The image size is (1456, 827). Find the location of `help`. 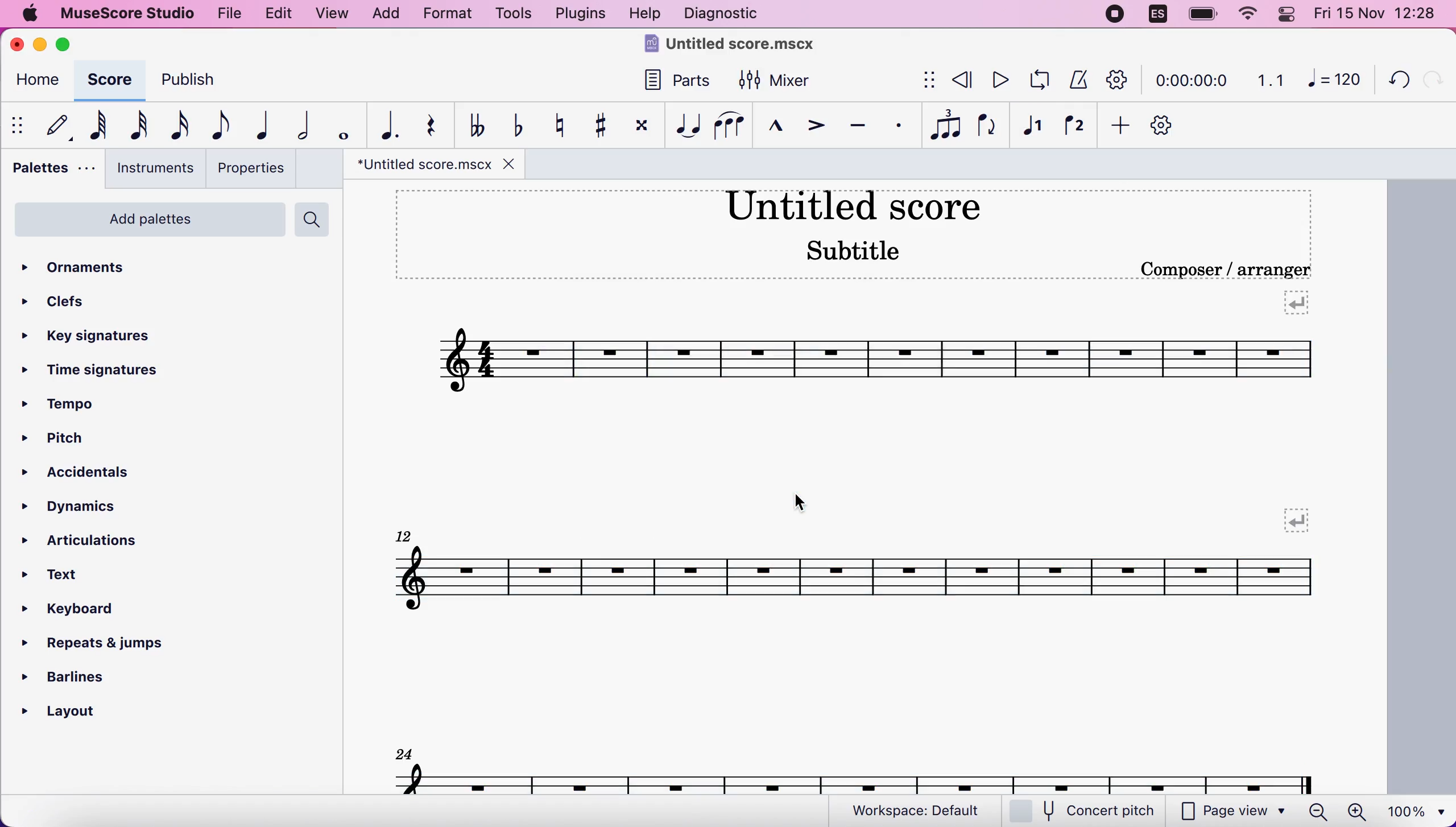

help is located at coordinates (645, 15).